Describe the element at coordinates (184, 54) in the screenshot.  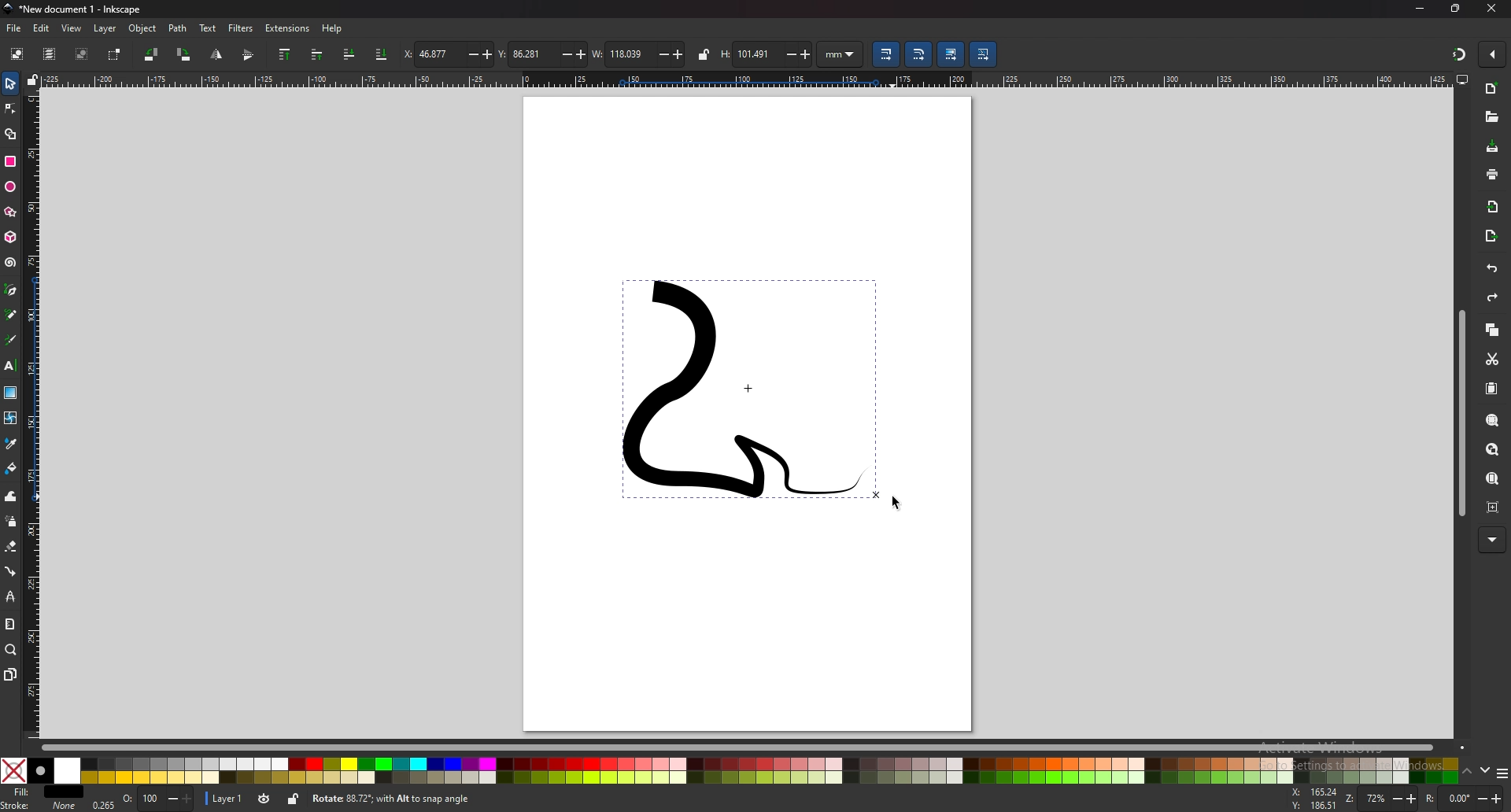
I see `rotate 90 degree cw` at that location.